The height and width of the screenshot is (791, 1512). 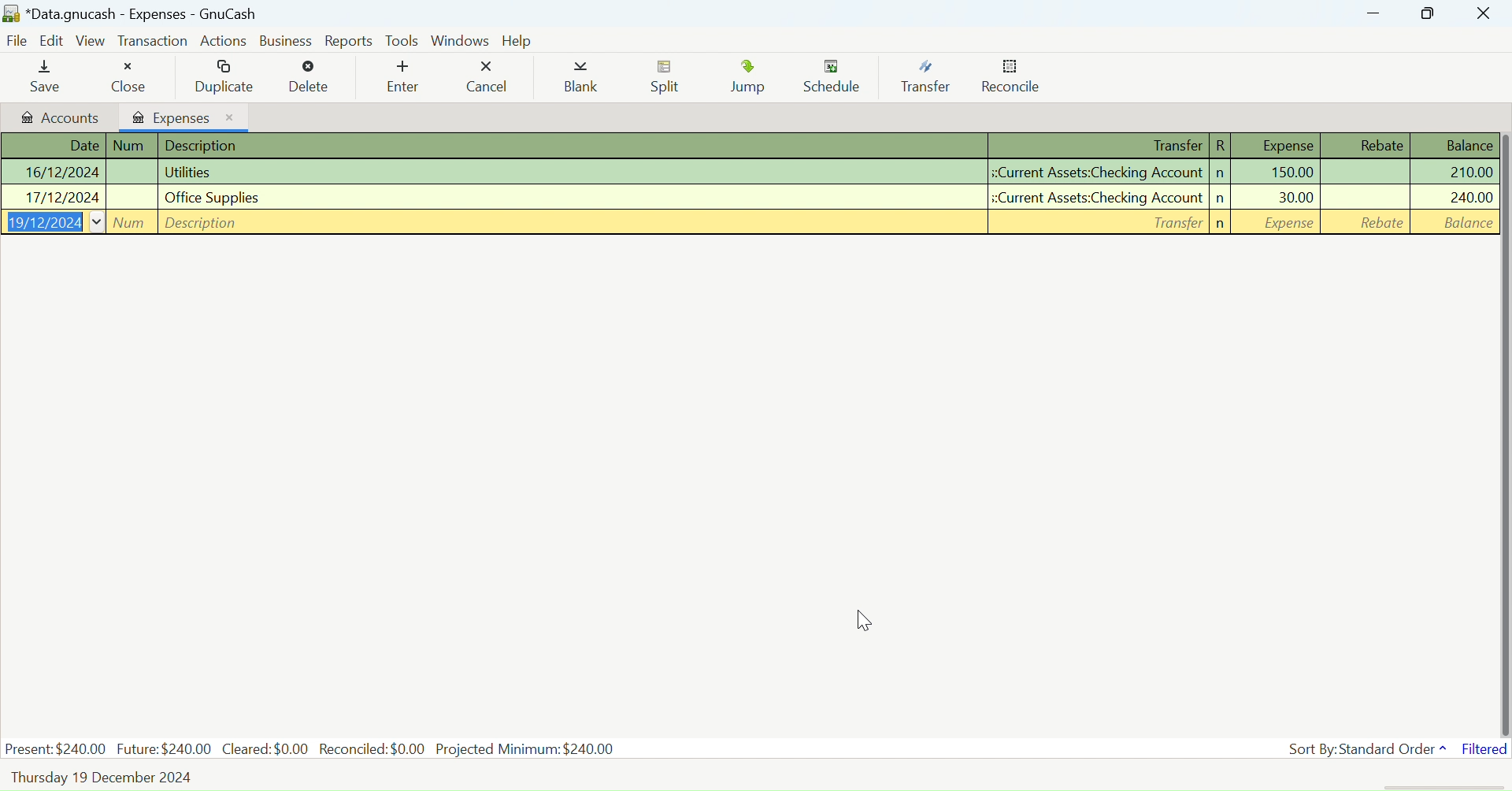 What do you see at coordinates (751, 223) in the screenshot?
I see `New Entry Field` at bounding box center [751, 223].